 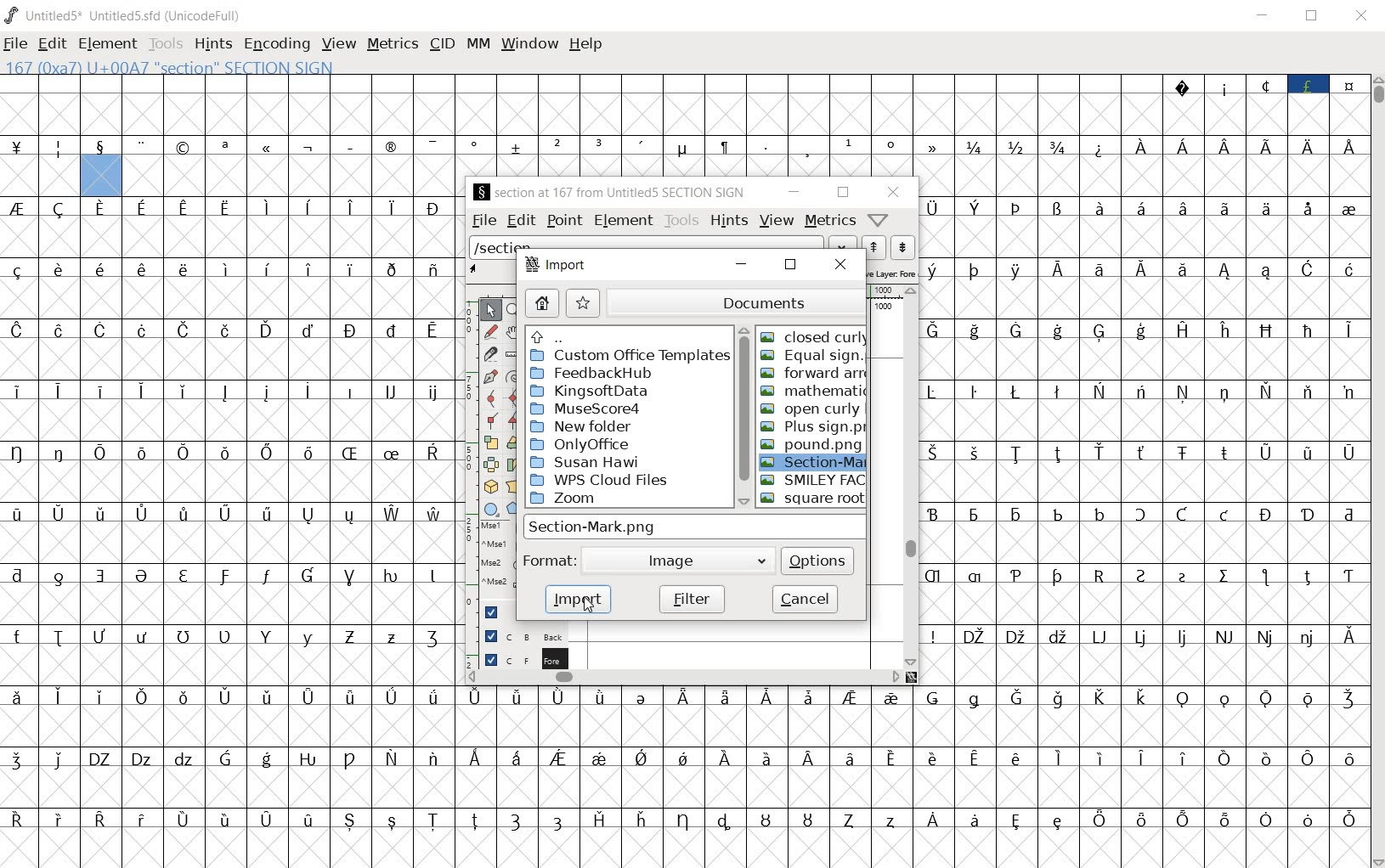 I want to click on special letters, so click(x=1143, y=635).